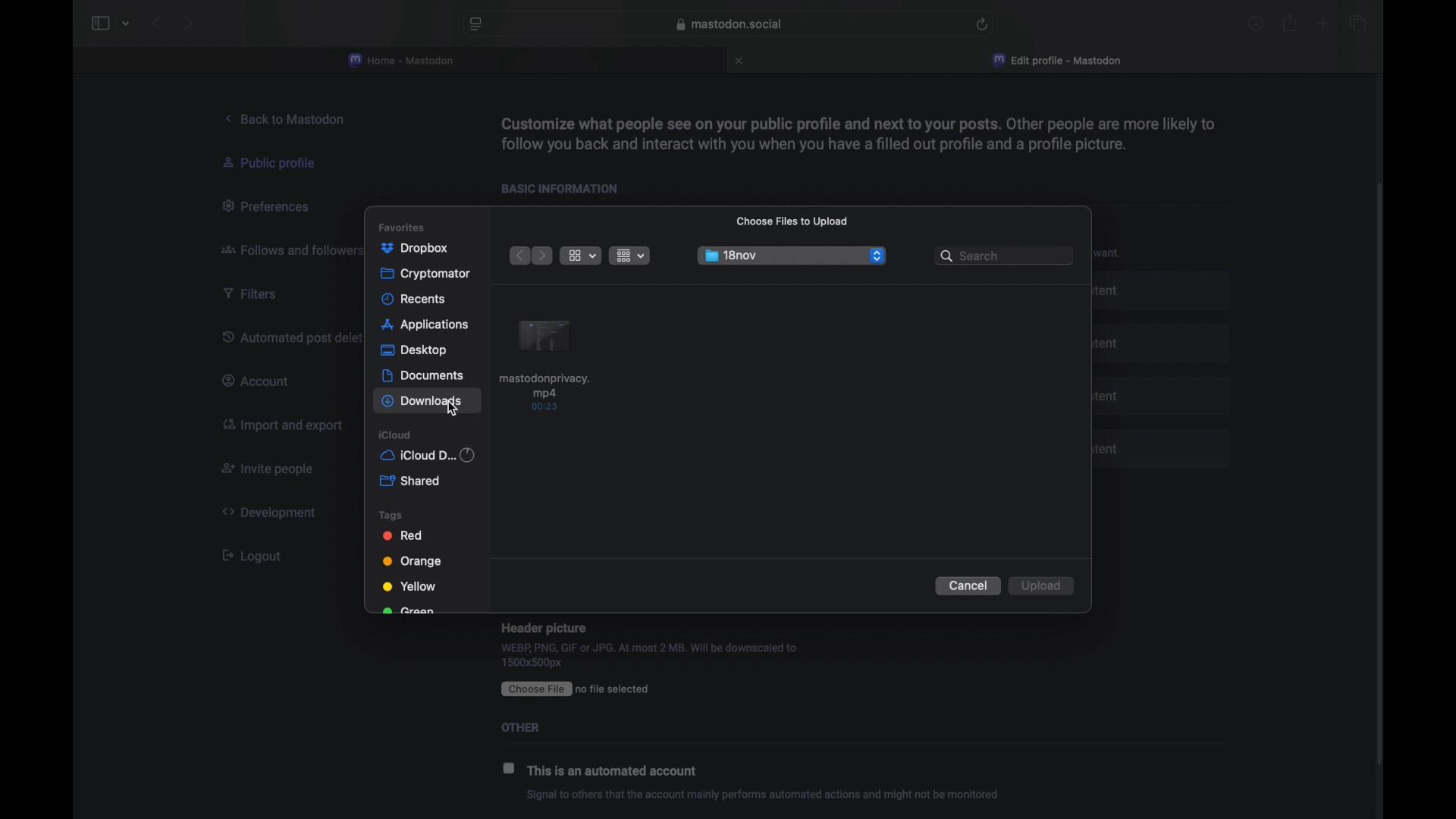 Image resolution: width=1456 pixels, height=819 pixels. I want to click on desktop, so click(414, 350).